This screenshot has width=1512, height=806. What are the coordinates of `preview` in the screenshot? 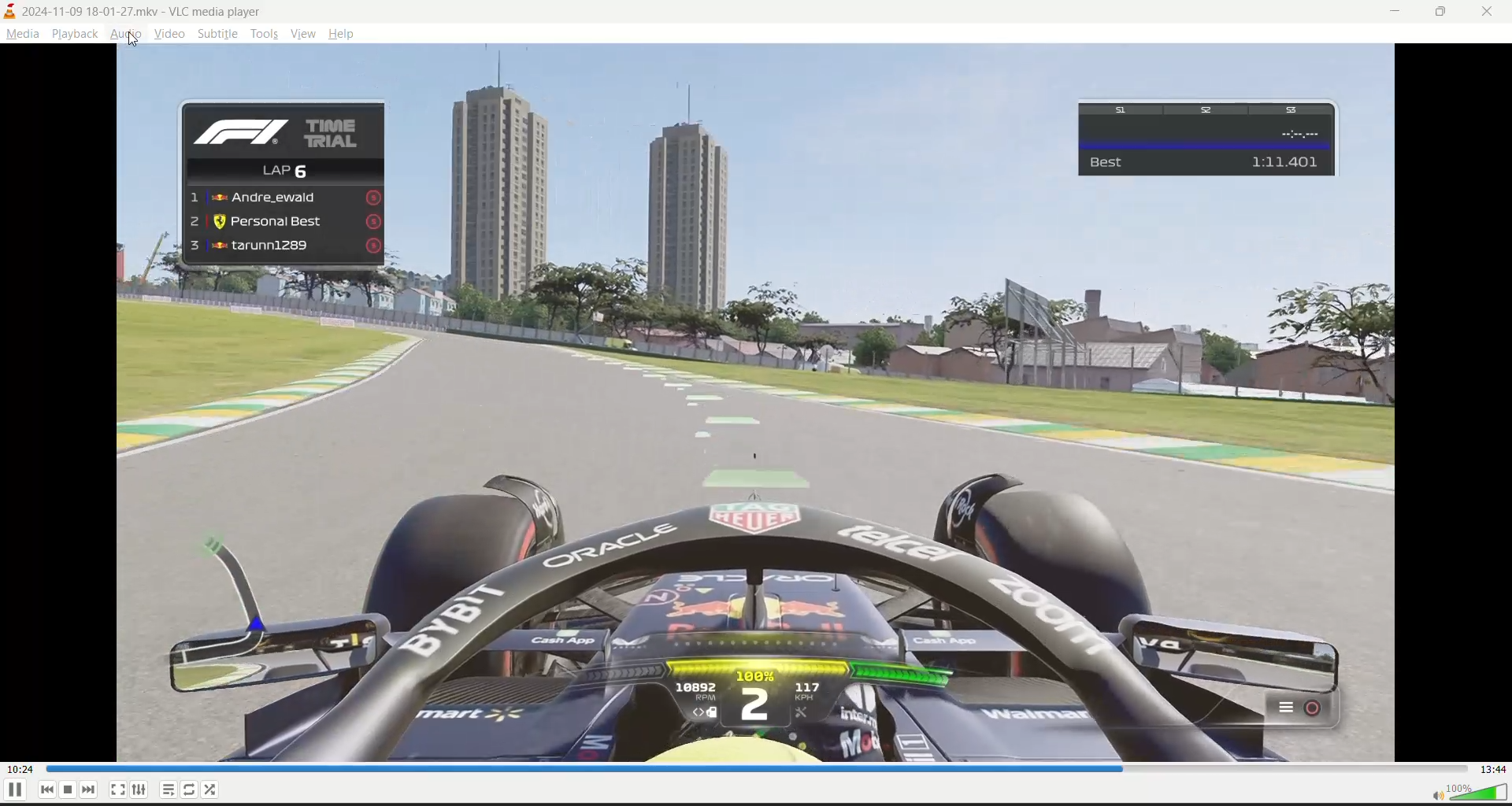 It's located at (1229, 70).